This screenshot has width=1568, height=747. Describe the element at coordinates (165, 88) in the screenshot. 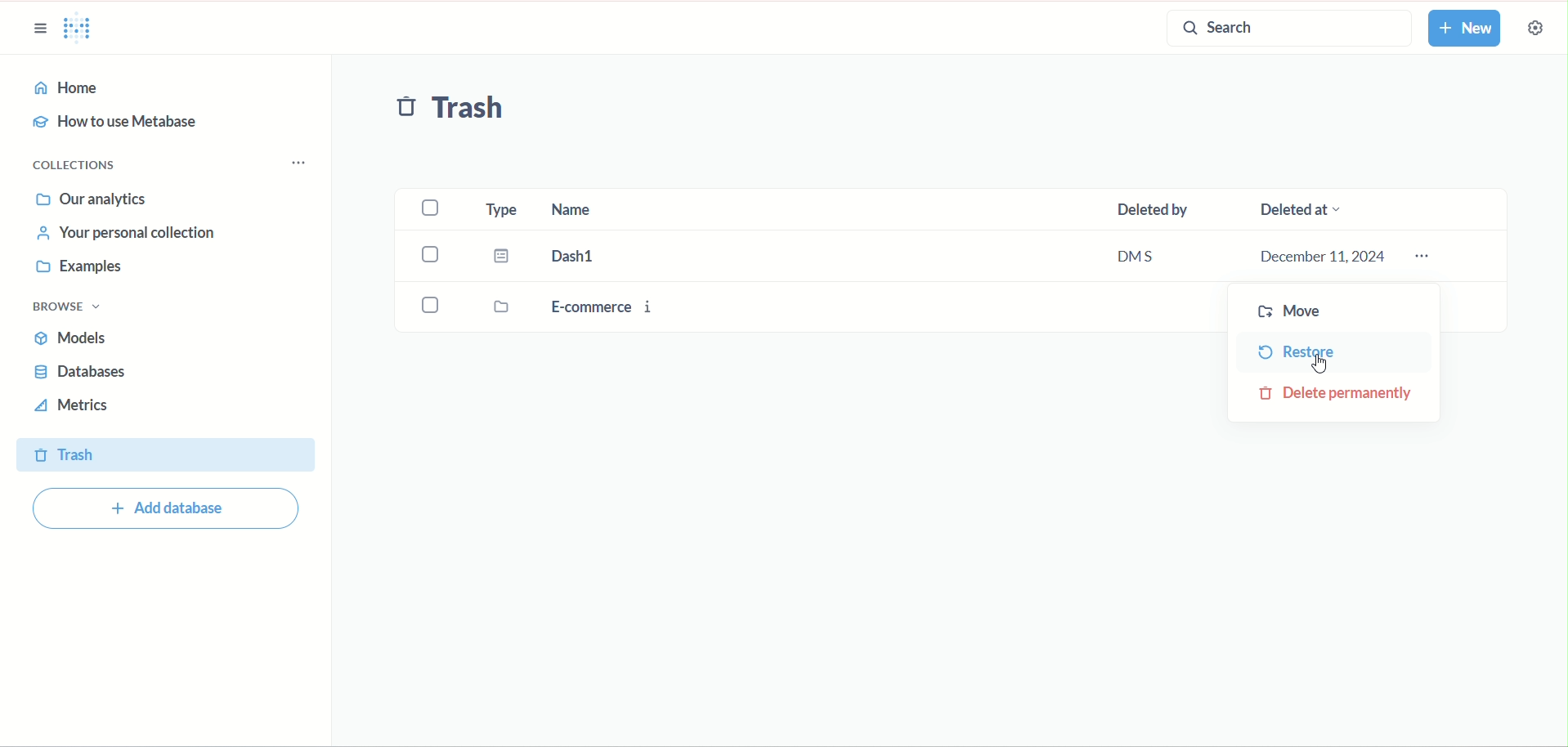

I see `home` at that location.